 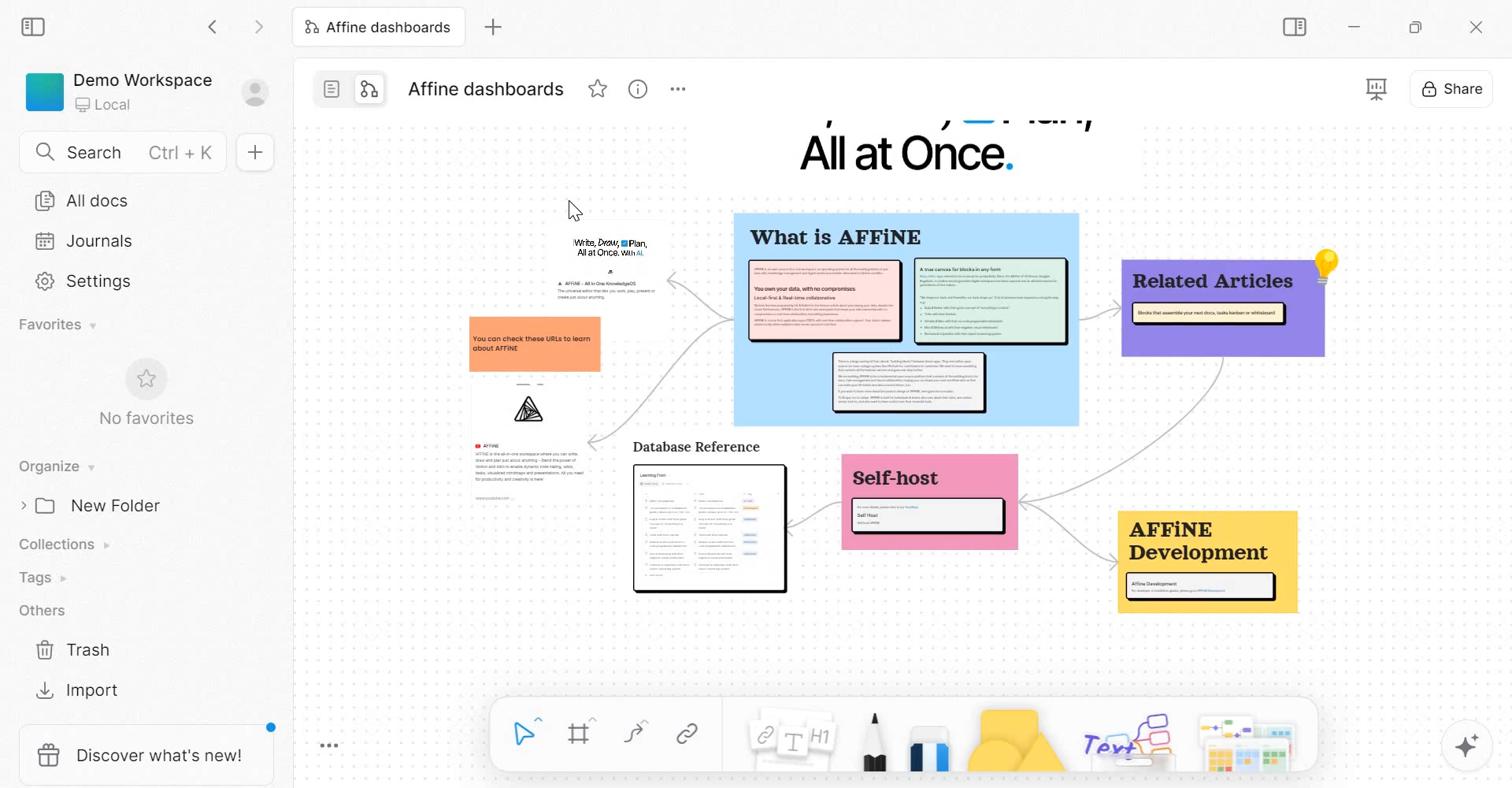 What do you see at coordinates (1417, 28) in the screenshot?
I see `Maximize` at bounding box center [1417, 28].